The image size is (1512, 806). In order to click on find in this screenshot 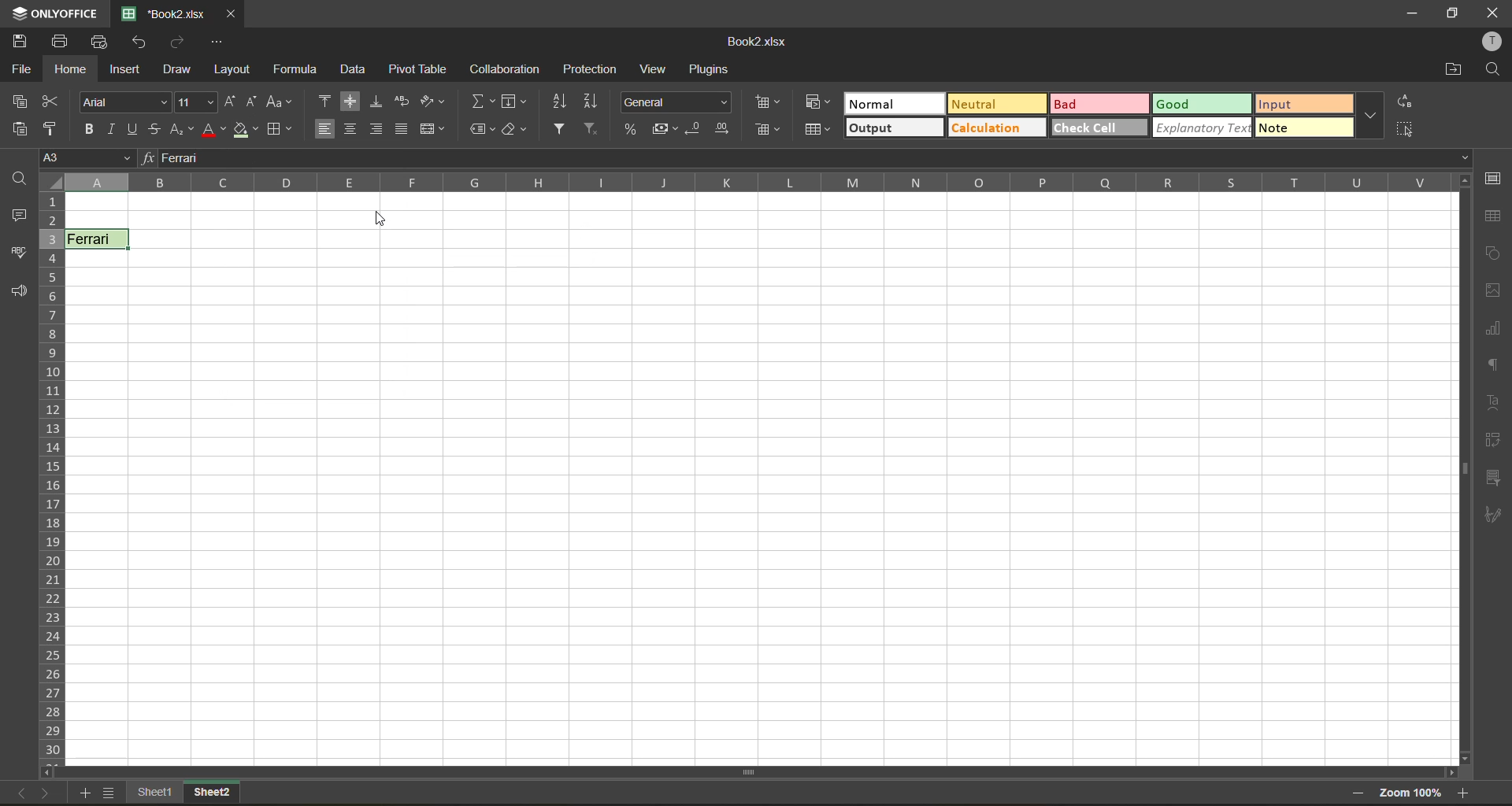, I will do `click(1492, 68)`.